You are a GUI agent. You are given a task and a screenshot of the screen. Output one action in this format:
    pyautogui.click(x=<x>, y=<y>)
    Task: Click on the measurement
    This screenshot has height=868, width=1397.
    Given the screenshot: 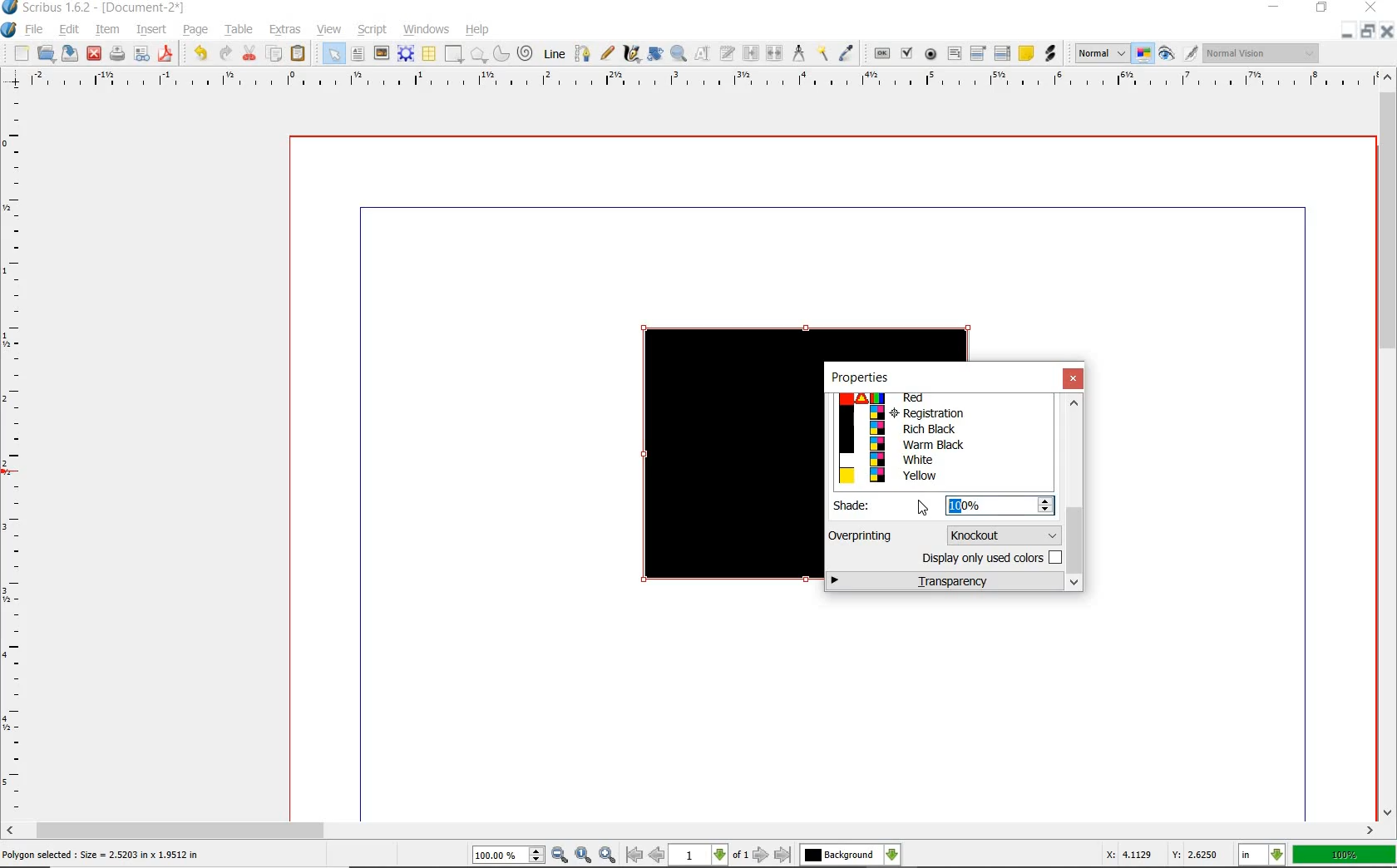 What is the action you would take?
    pyautogui.click(x=801, y=55)
    